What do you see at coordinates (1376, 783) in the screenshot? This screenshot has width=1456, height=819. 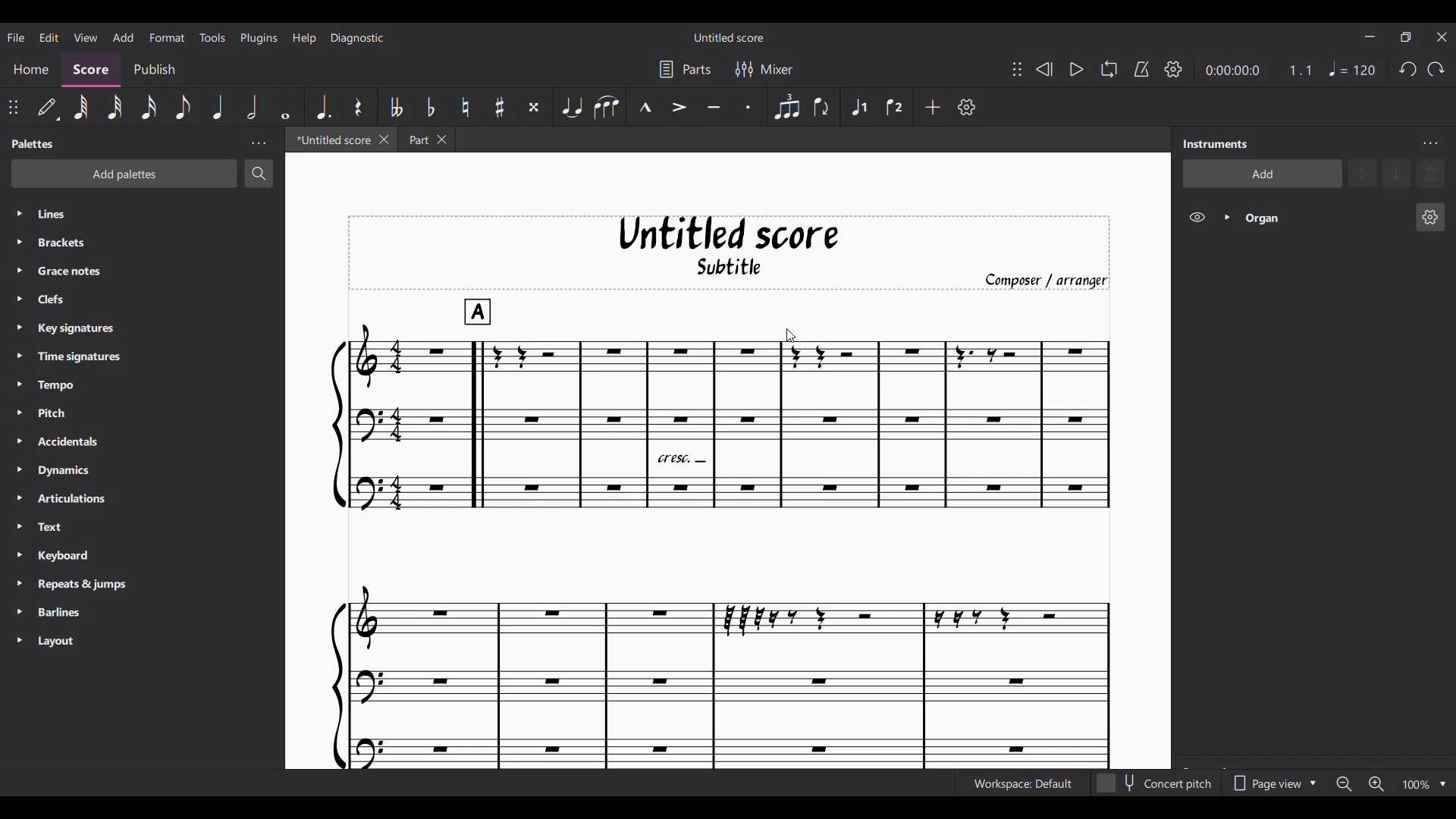 I see `Zoom in` at bounding box center [1376, 783].